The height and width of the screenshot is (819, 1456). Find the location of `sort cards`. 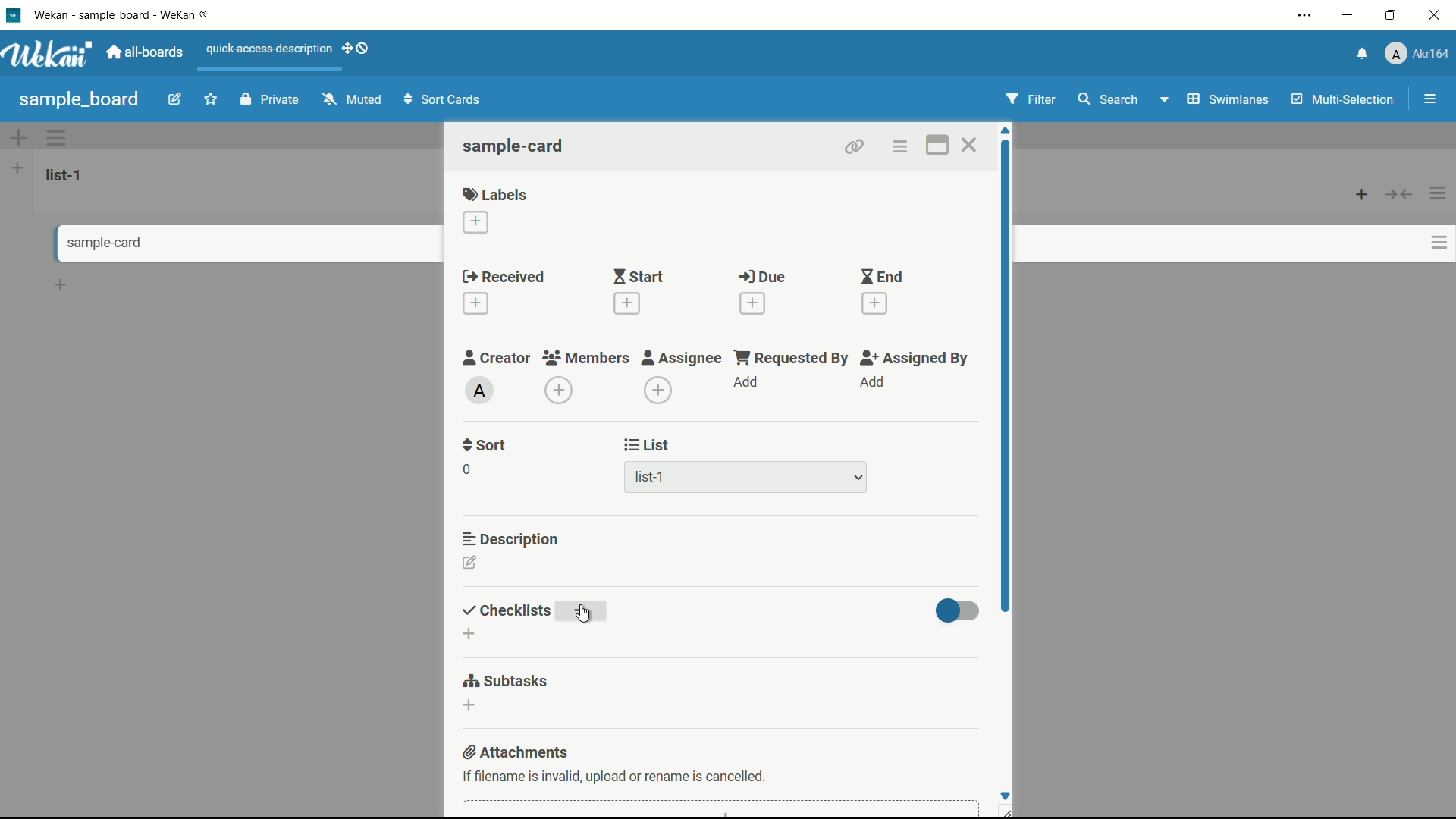

sort cards is located at coordinates (444, 101).